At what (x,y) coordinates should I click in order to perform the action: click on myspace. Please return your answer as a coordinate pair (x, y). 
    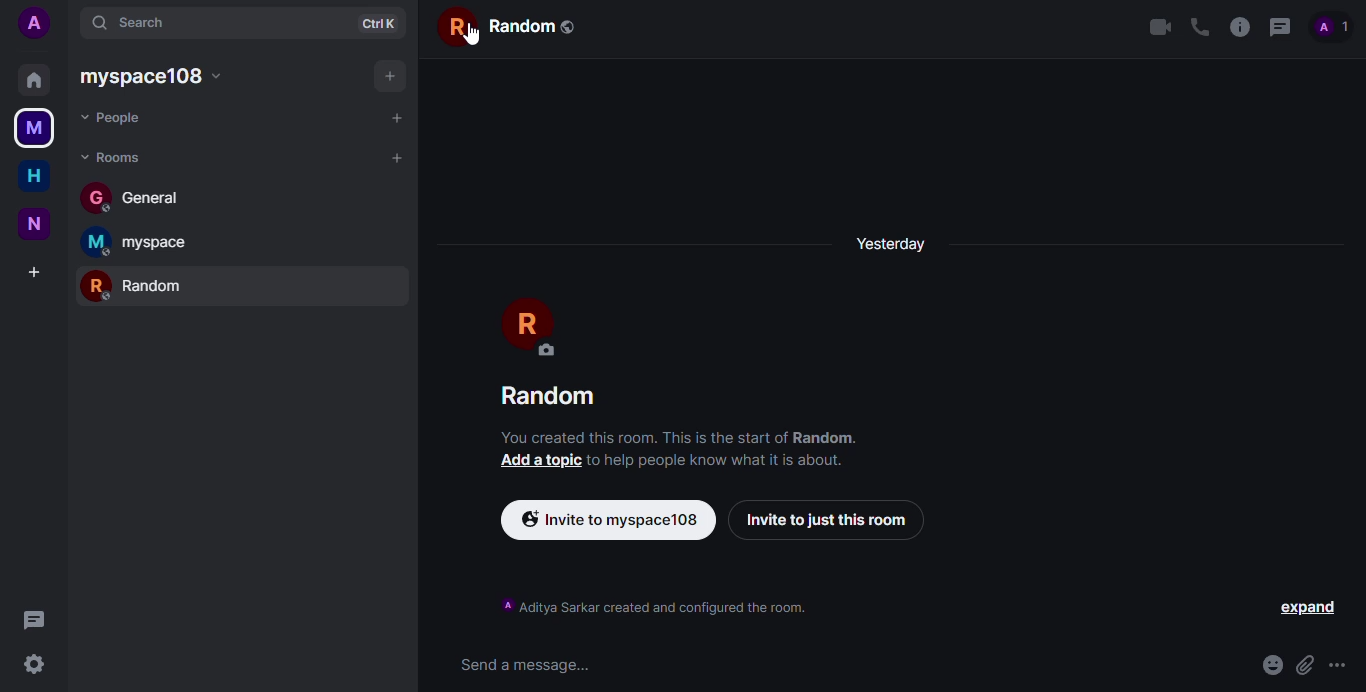
    Looking at the image, I should click on (33, 129).